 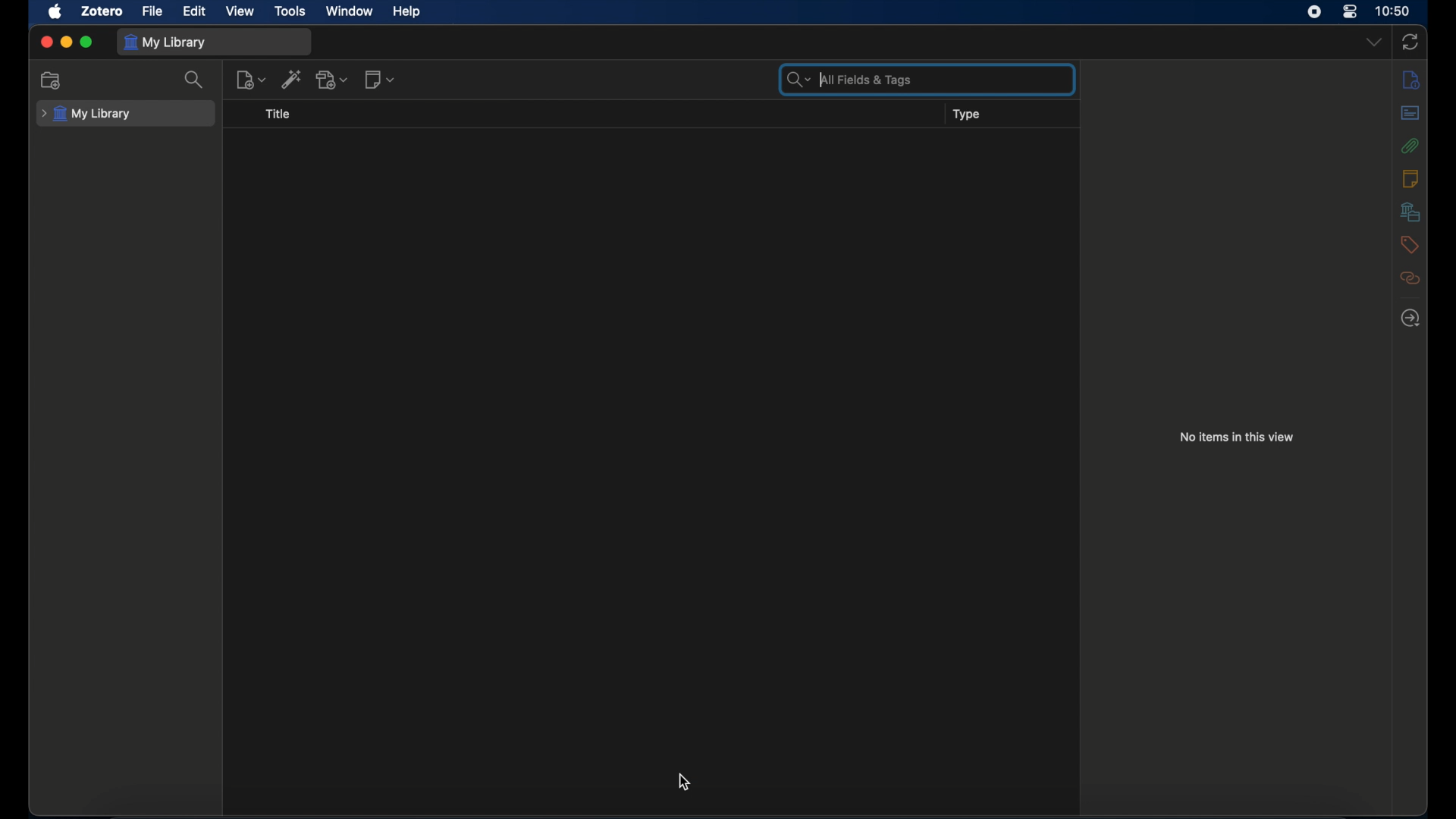 I want to click on info, so click(x=1410, y=80).